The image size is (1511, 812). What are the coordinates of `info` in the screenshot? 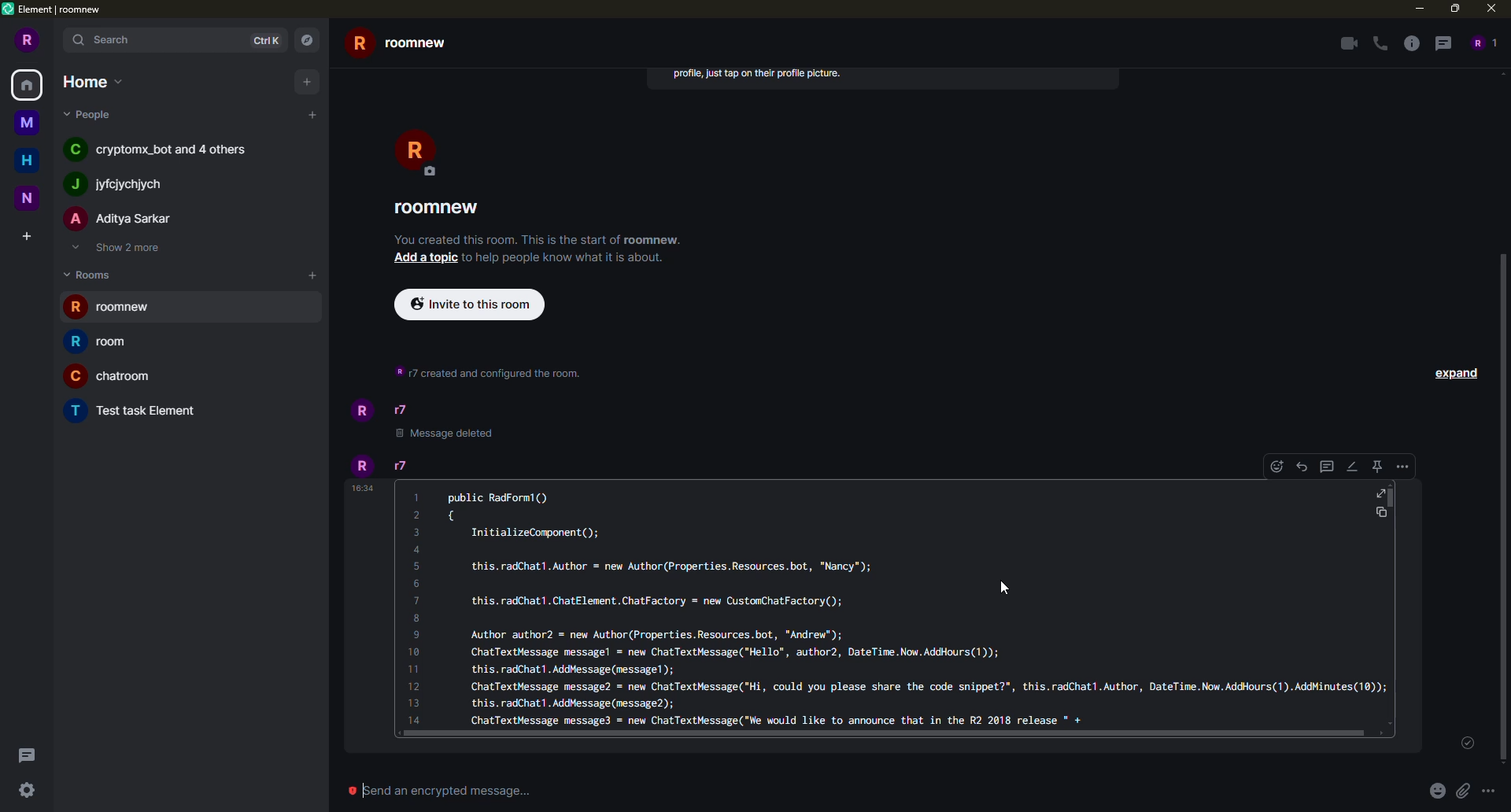 It's located at (1410, 43).